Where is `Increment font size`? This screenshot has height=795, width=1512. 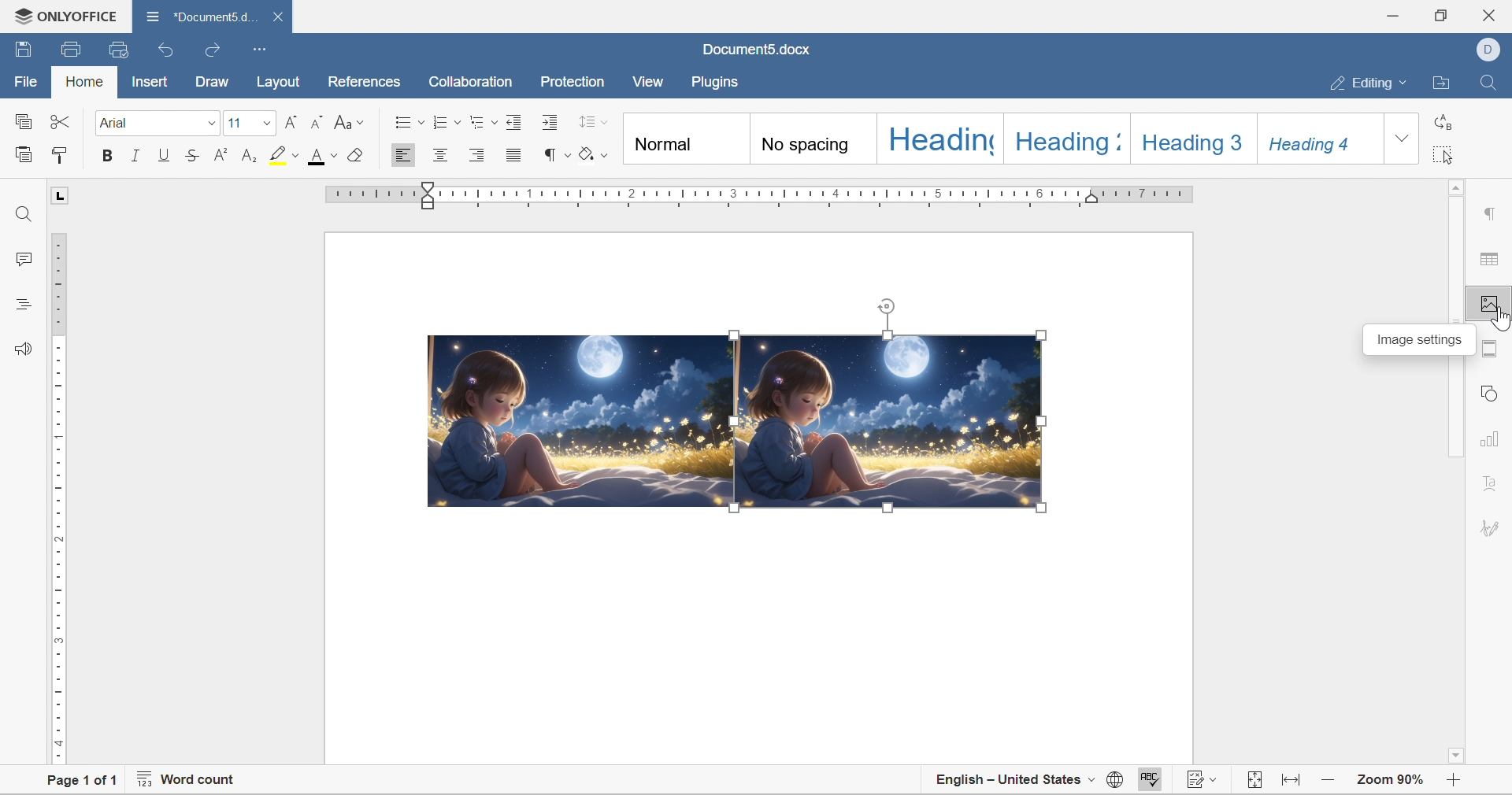
Increment font size is located at coordinates (289, 121).